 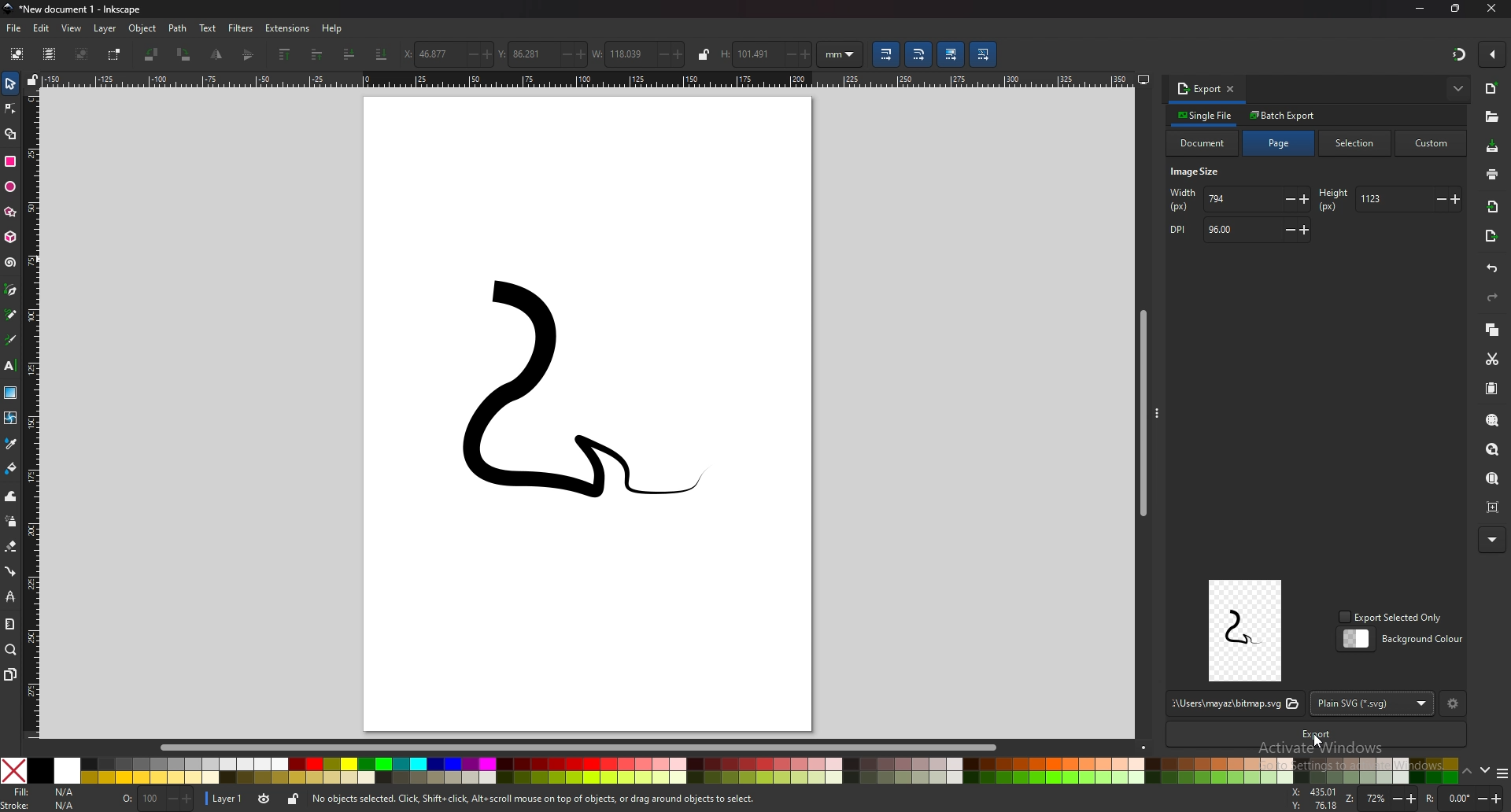 What do you see at coordinates (1206, 115) in the screenshot?
I see `single file` at bounding box center [1206, 115].